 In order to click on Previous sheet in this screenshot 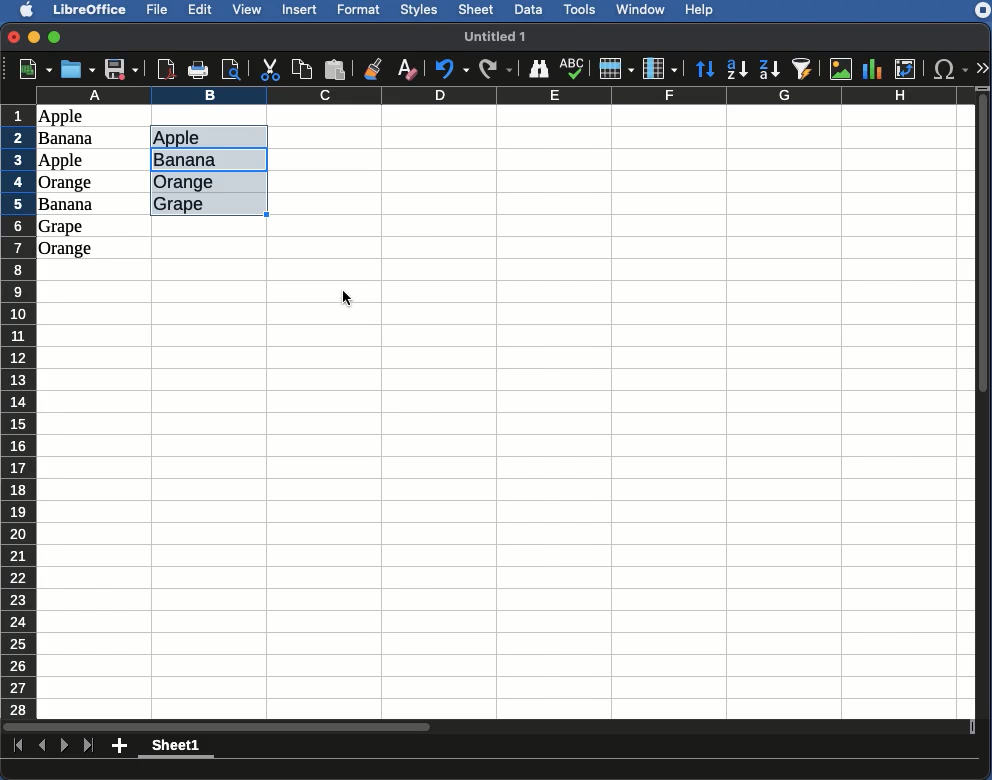, I will do `click(43, 747)`.